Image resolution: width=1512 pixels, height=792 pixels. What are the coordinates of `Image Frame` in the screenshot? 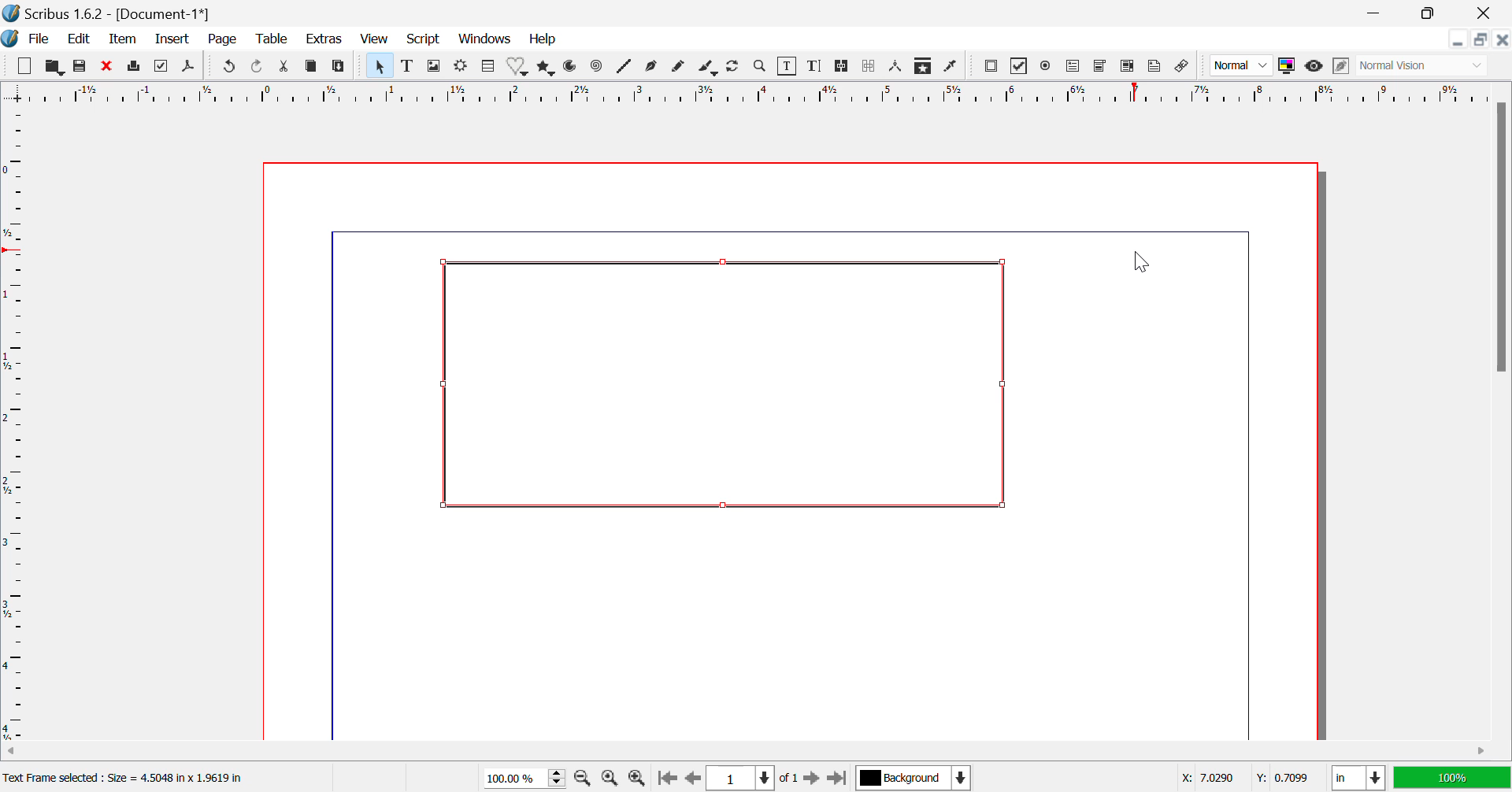 It's located at (435, 66).